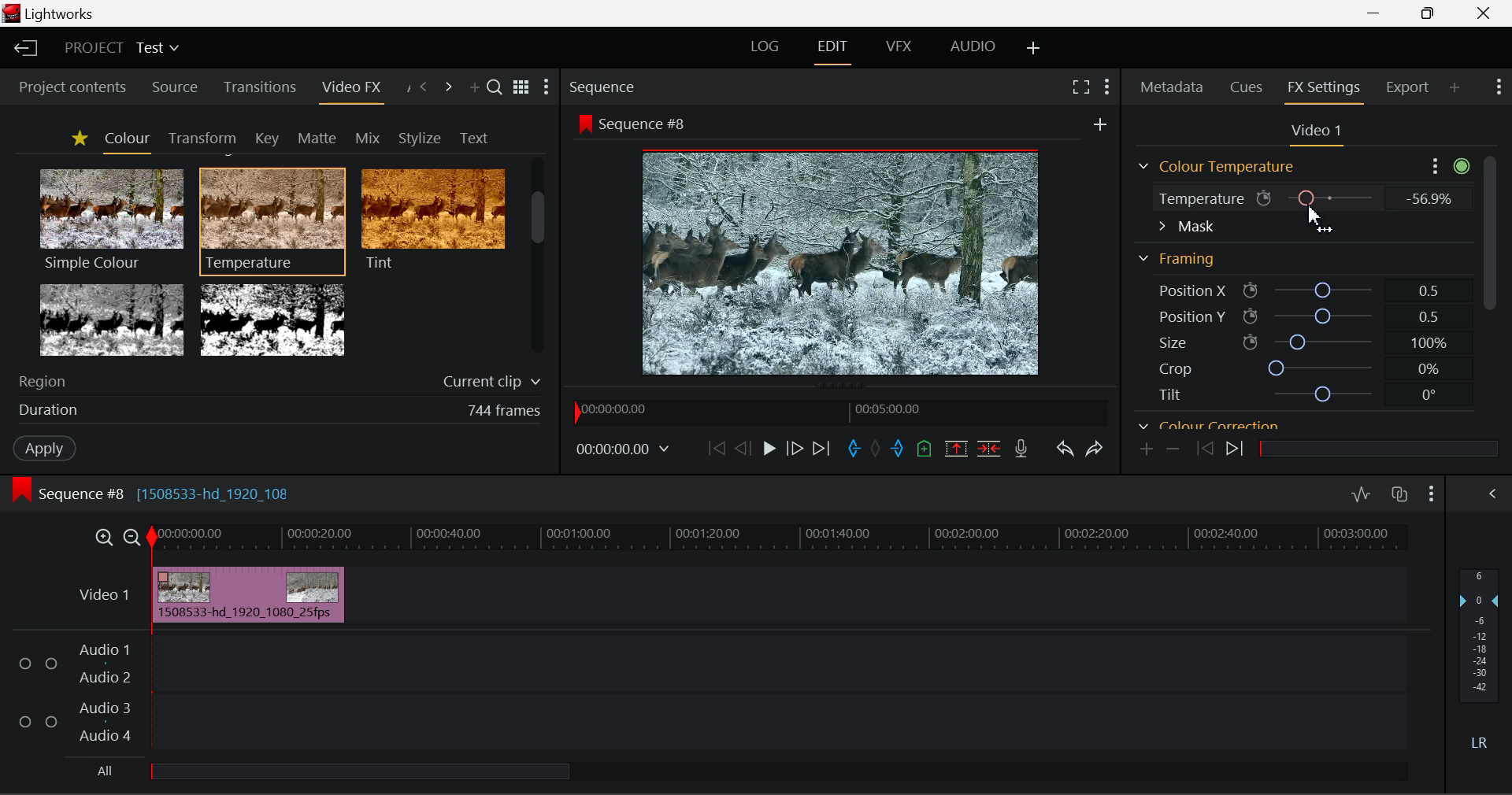 The width and height of the screenshot is (1512, 795). I want to click on 0.5, so click(1429, 290).